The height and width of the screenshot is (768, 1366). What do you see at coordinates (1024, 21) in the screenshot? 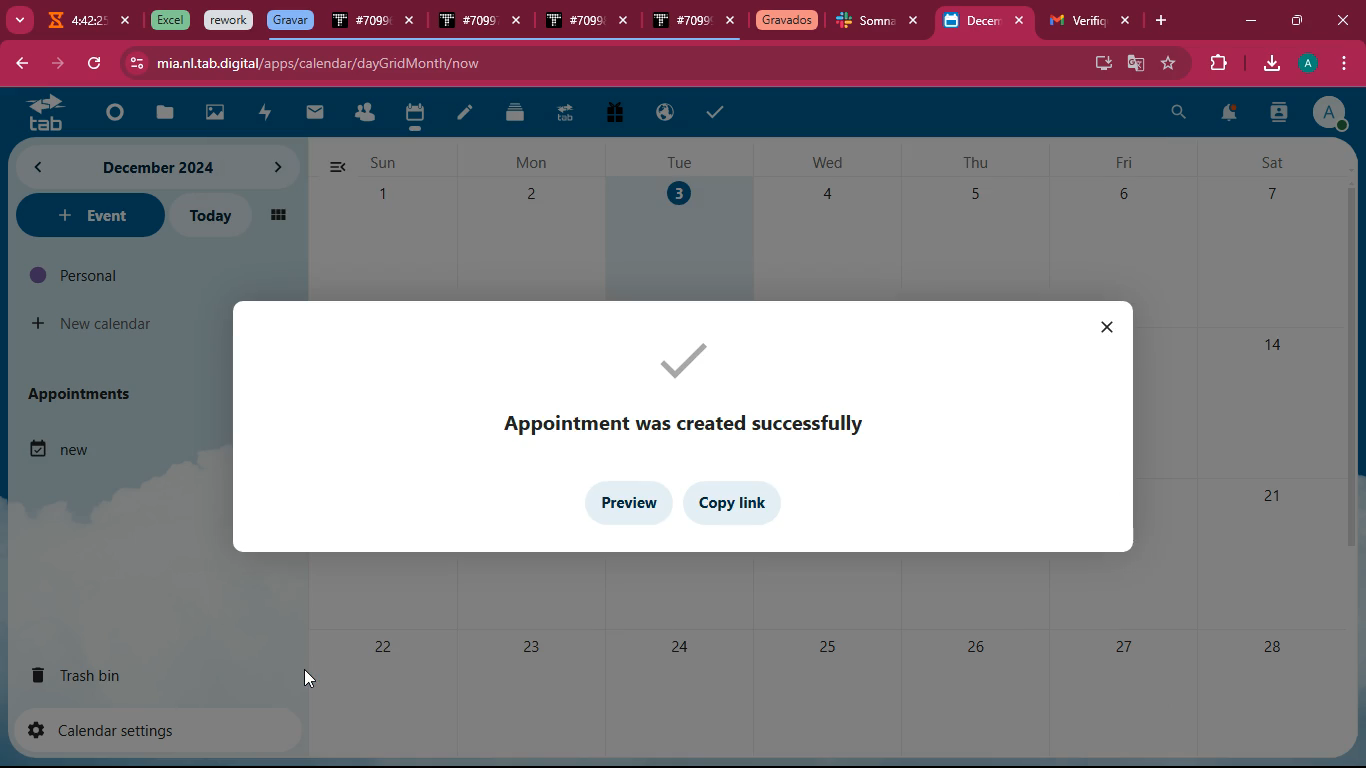
I see `close` at bounding box center [1024, 21].